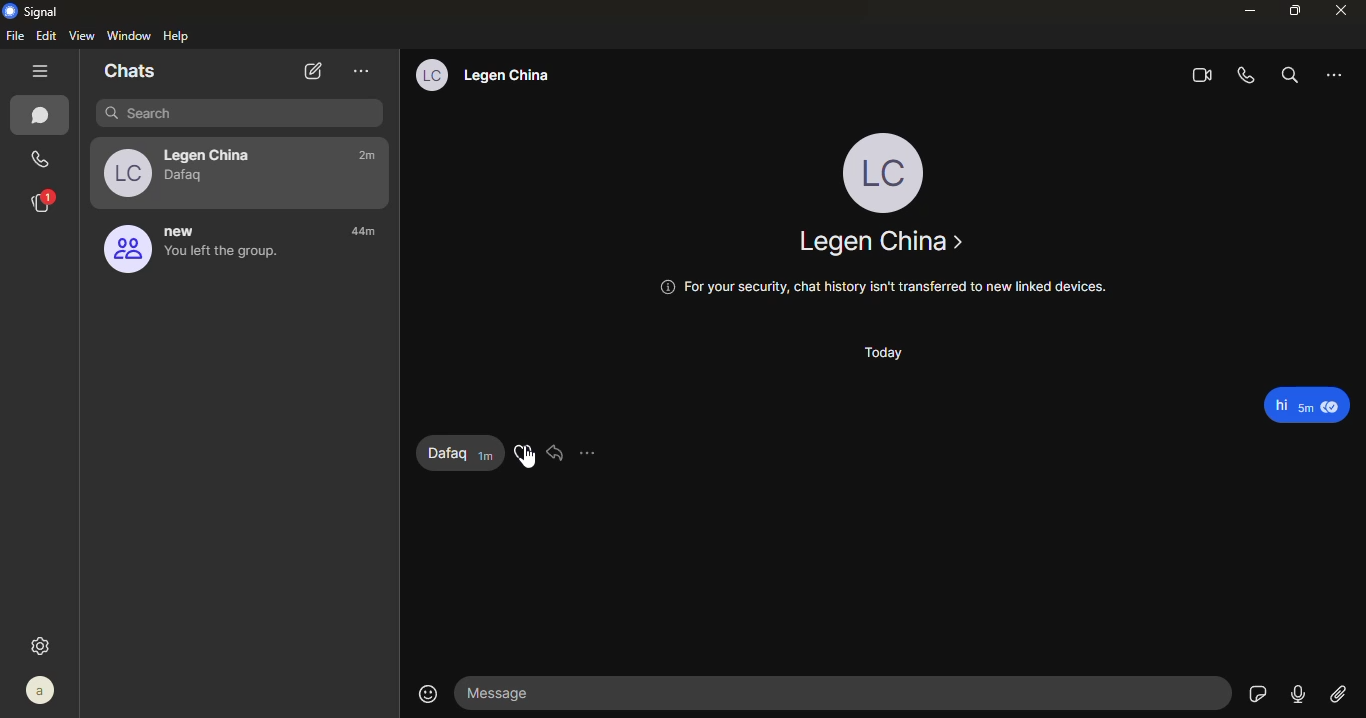 Image resolution: width=1366 pixels, height=718 pixels. Describe the element at coordinates (1308, 404) in the screenshot. I see `message- Hi 5m` at that location.